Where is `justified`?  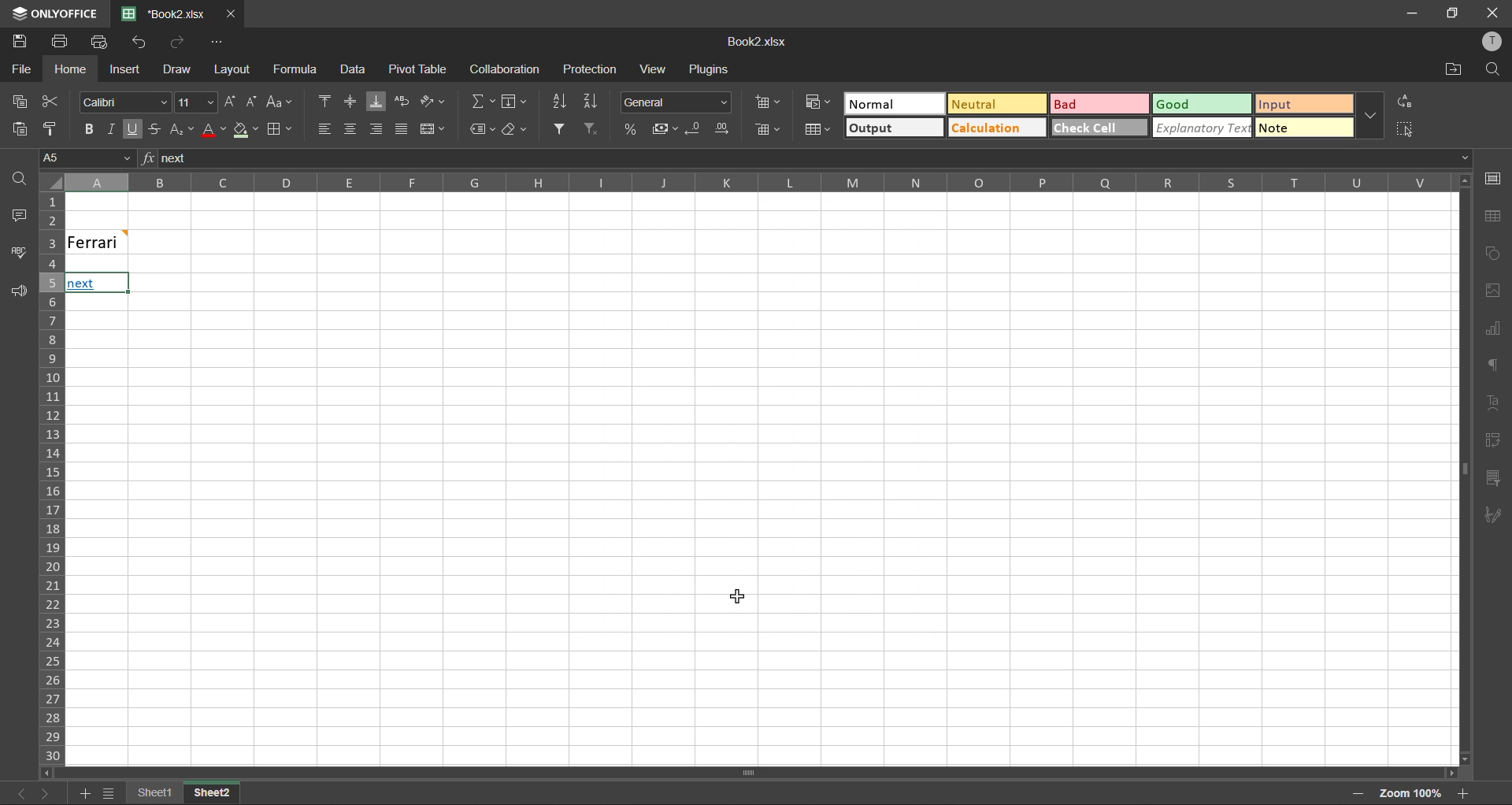
justified is located at coordinates (401, 129).